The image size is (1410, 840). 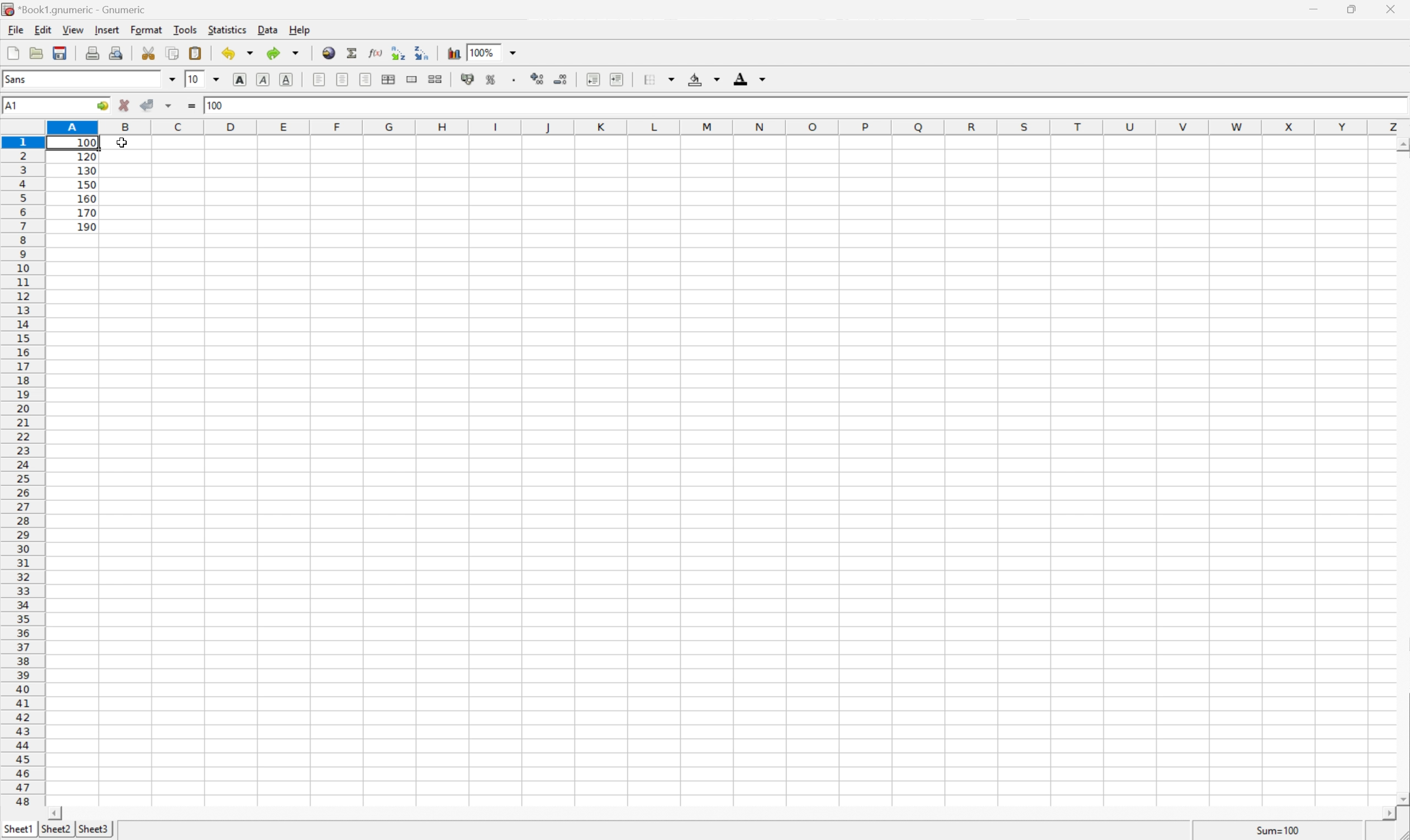 I want to click on Scroll Right, so click(x=1383, y=812).